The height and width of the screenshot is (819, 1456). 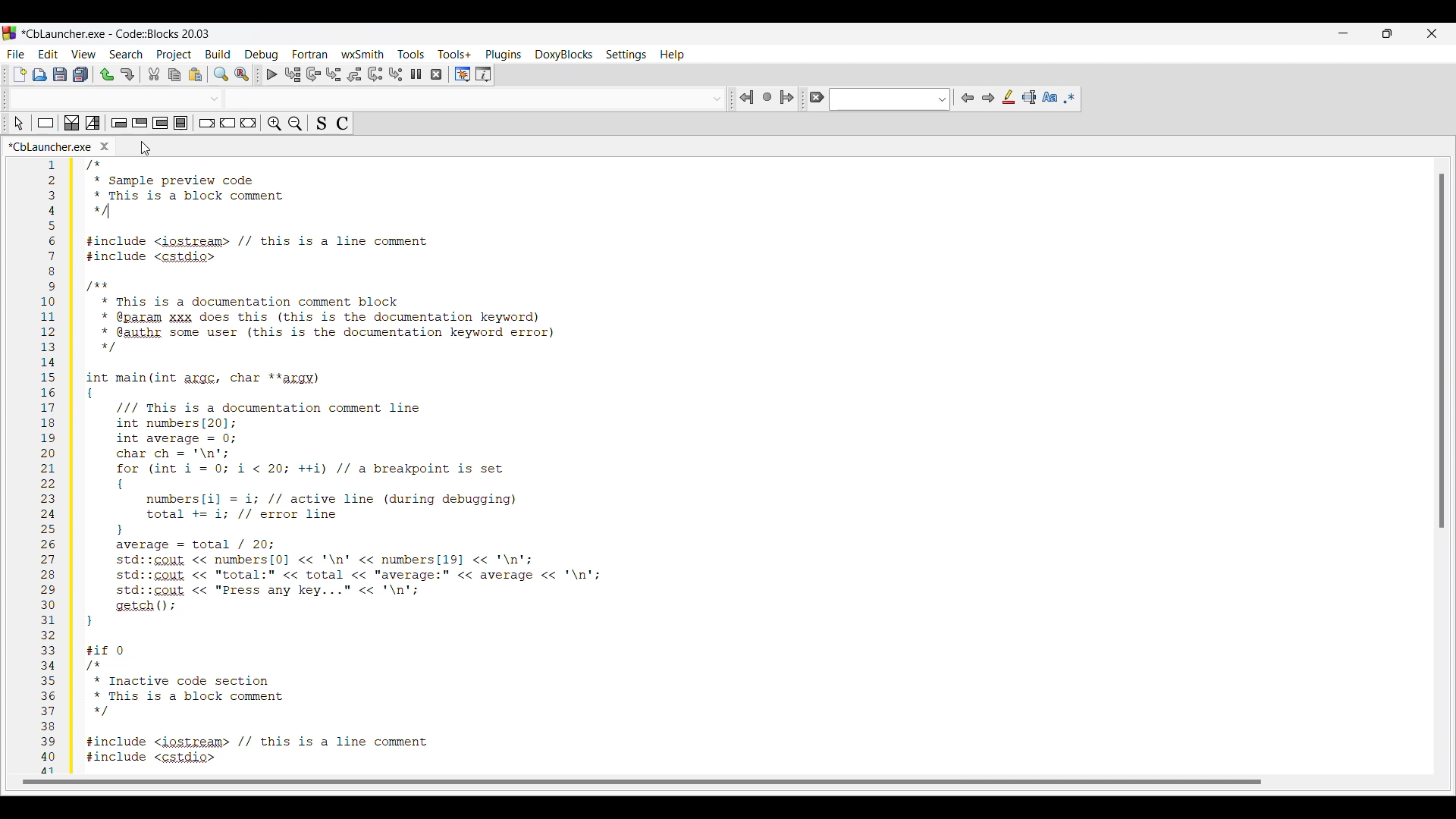 What do you see at coordinates (262, 146) in the screenshot?
I see `Close tab` at bounding box center [262, 146].